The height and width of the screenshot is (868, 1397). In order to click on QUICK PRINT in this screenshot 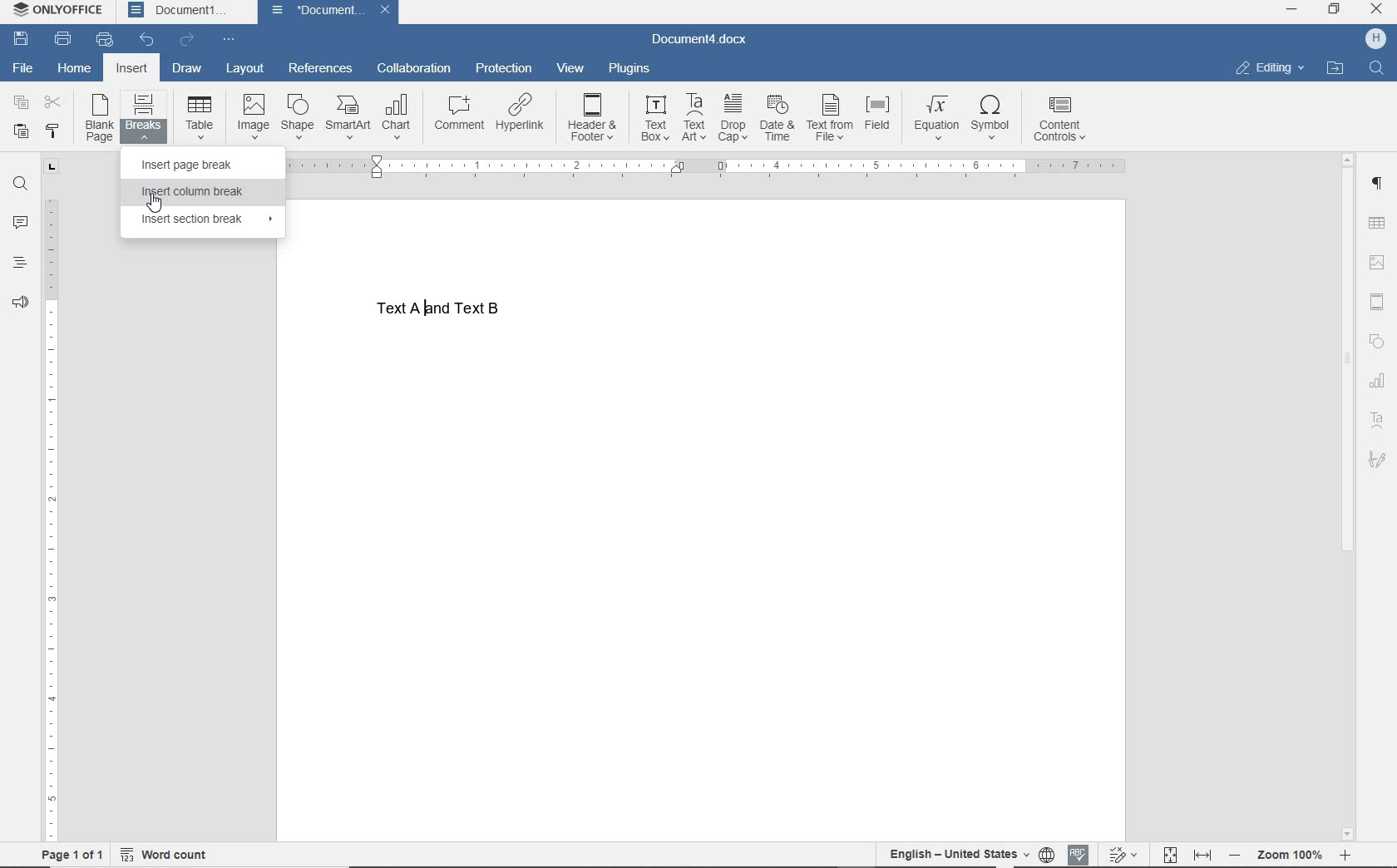, I will do `click(105, 41)`.